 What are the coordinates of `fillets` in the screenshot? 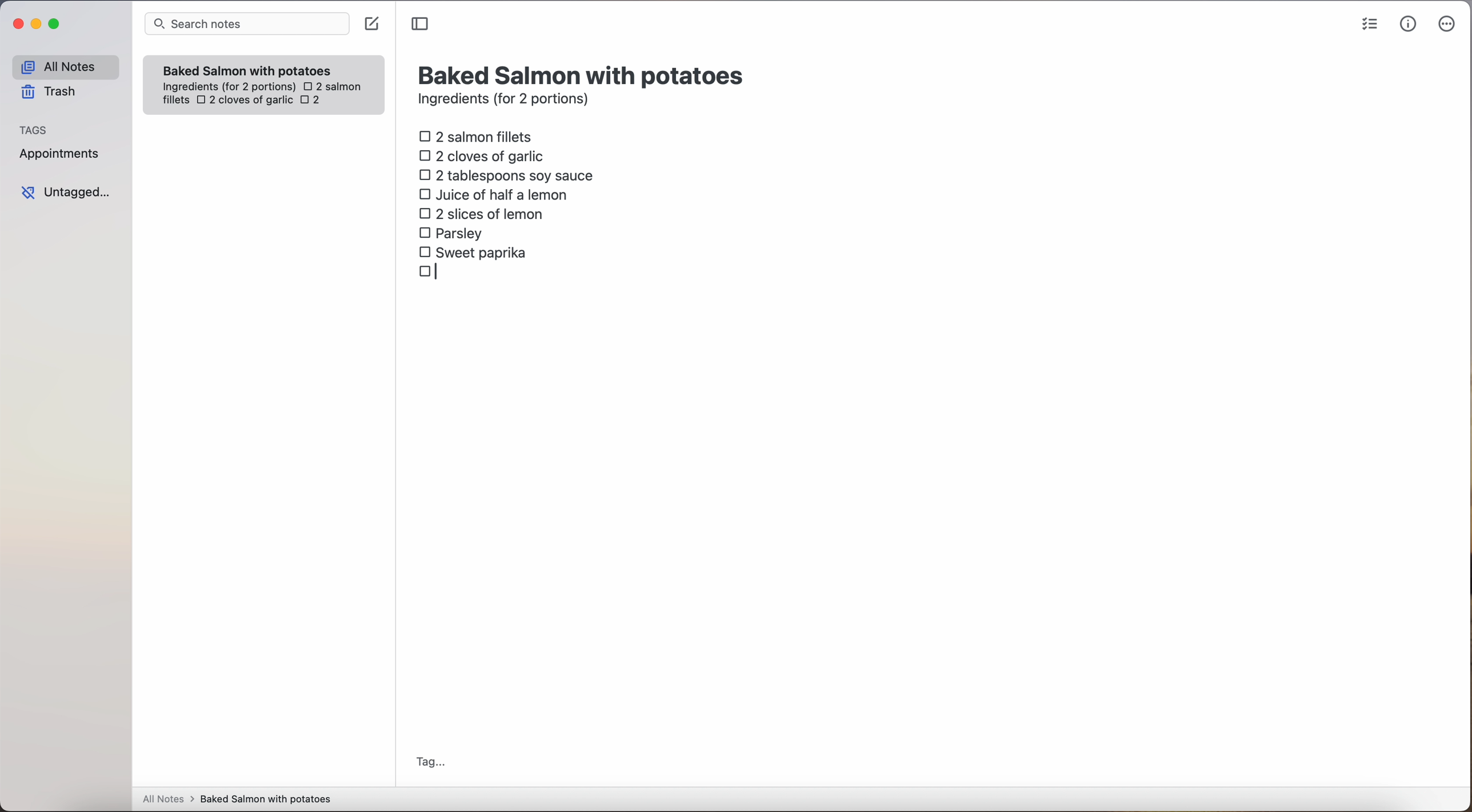 It's located at (177, 101).